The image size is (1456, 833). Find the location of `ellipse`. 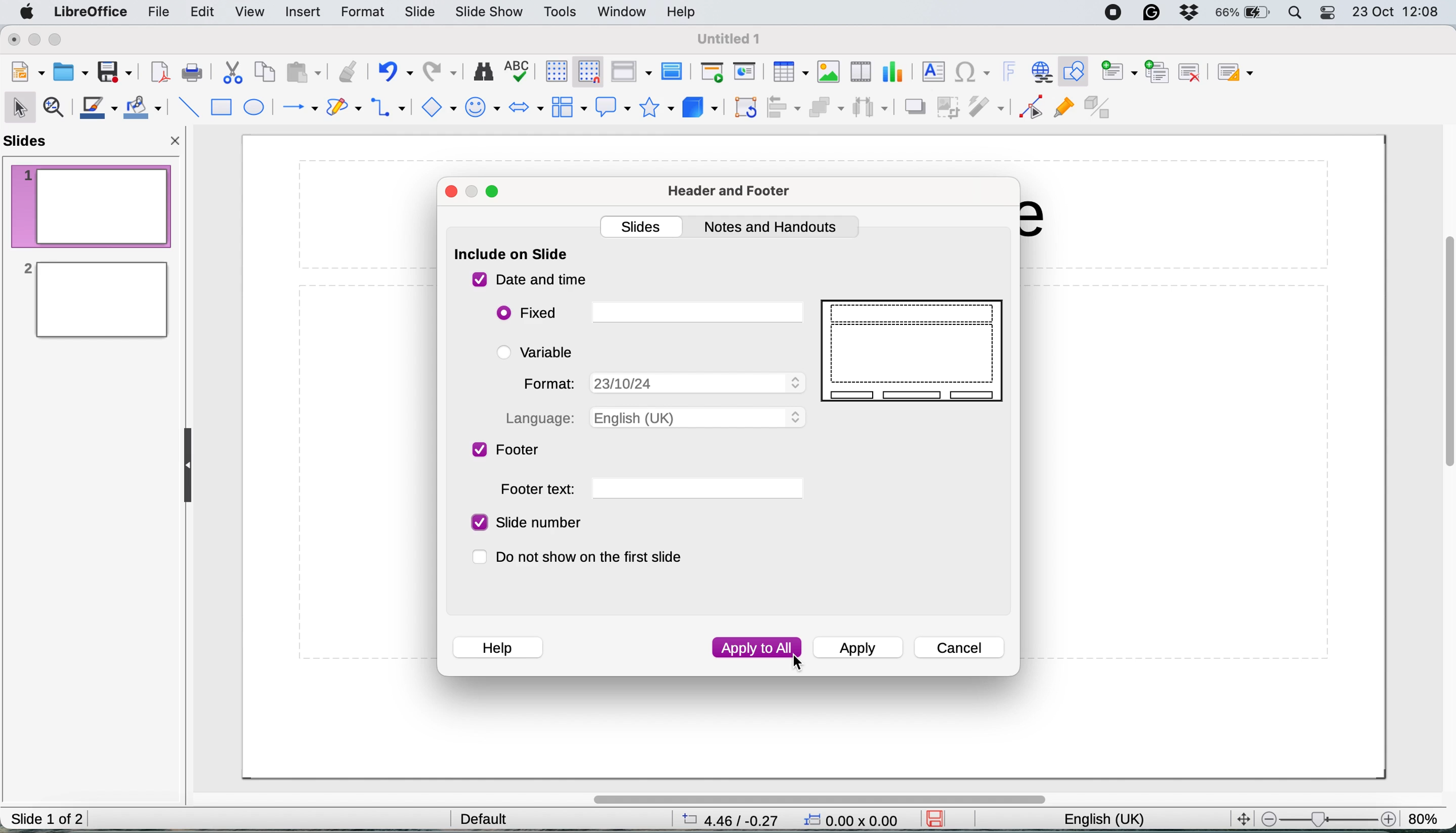

ellipse is located at coordinates (255, 108).